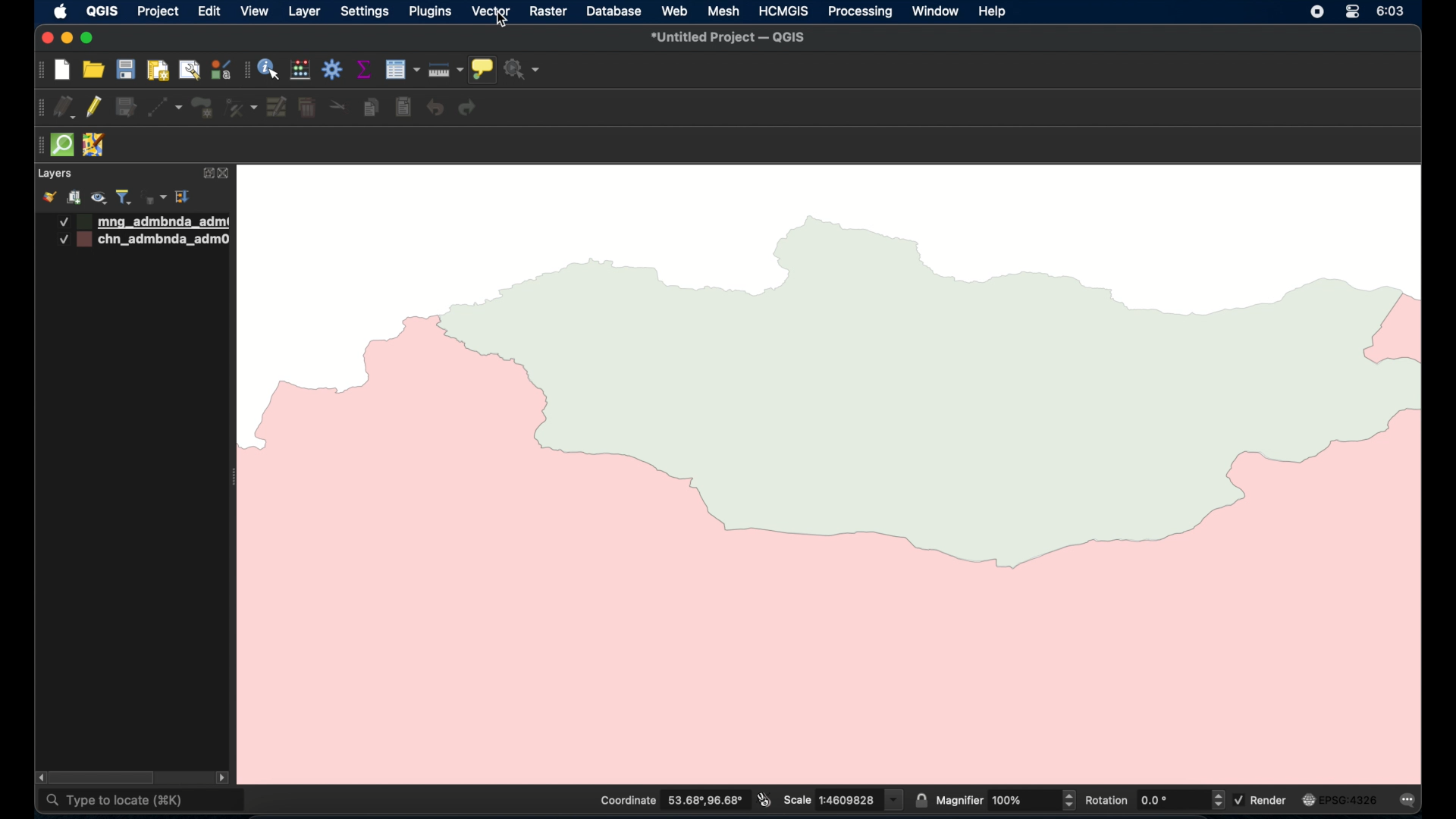  What do you see at coordinates (723, 12) in the screenshot?
I see `mesh` at bounding box center [723, 12].